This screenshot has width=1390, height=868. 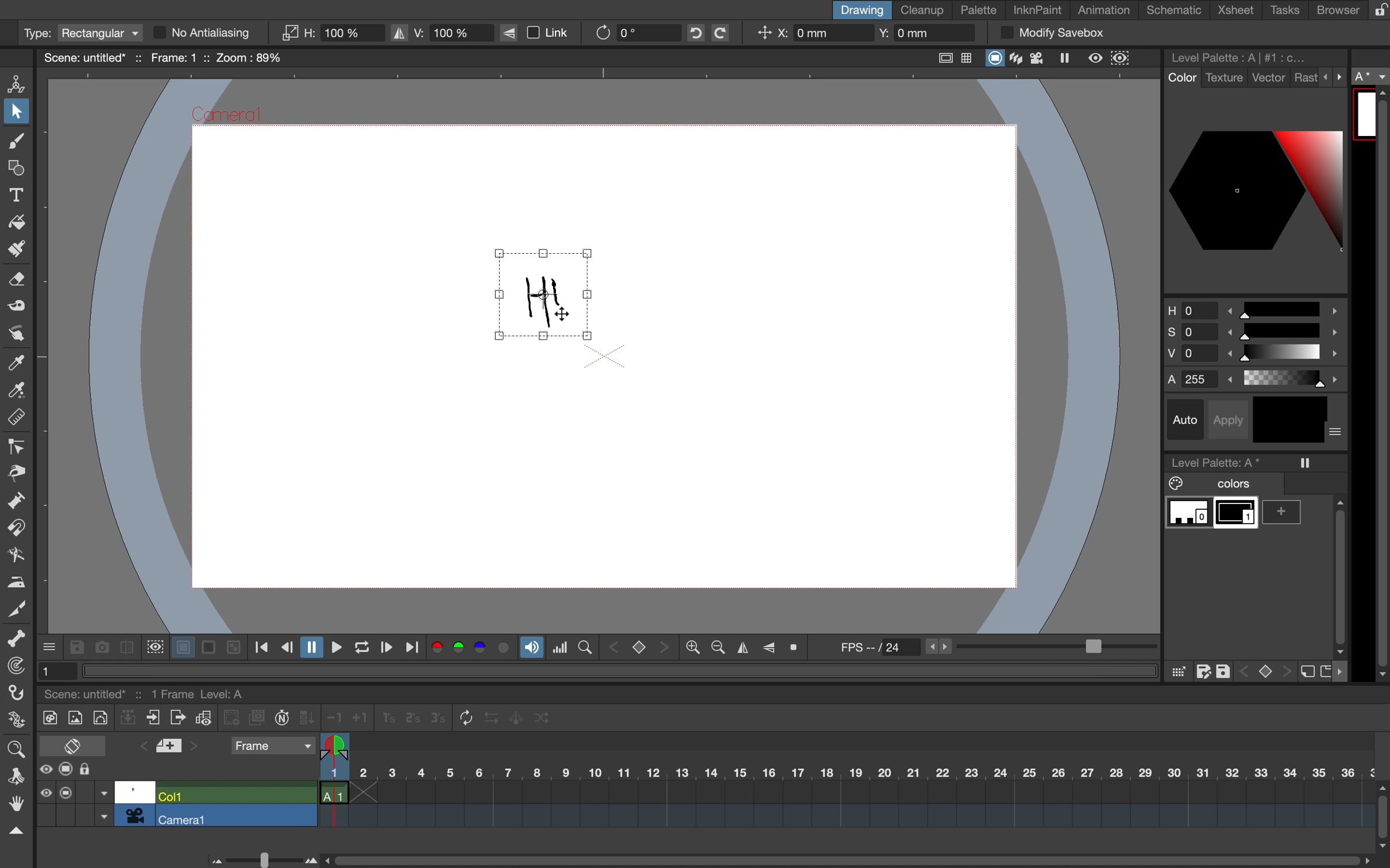 What do you see at coordinates (159, 692) in the screenshot?
I see `scene and scene details` at bounding box center [159, 692].